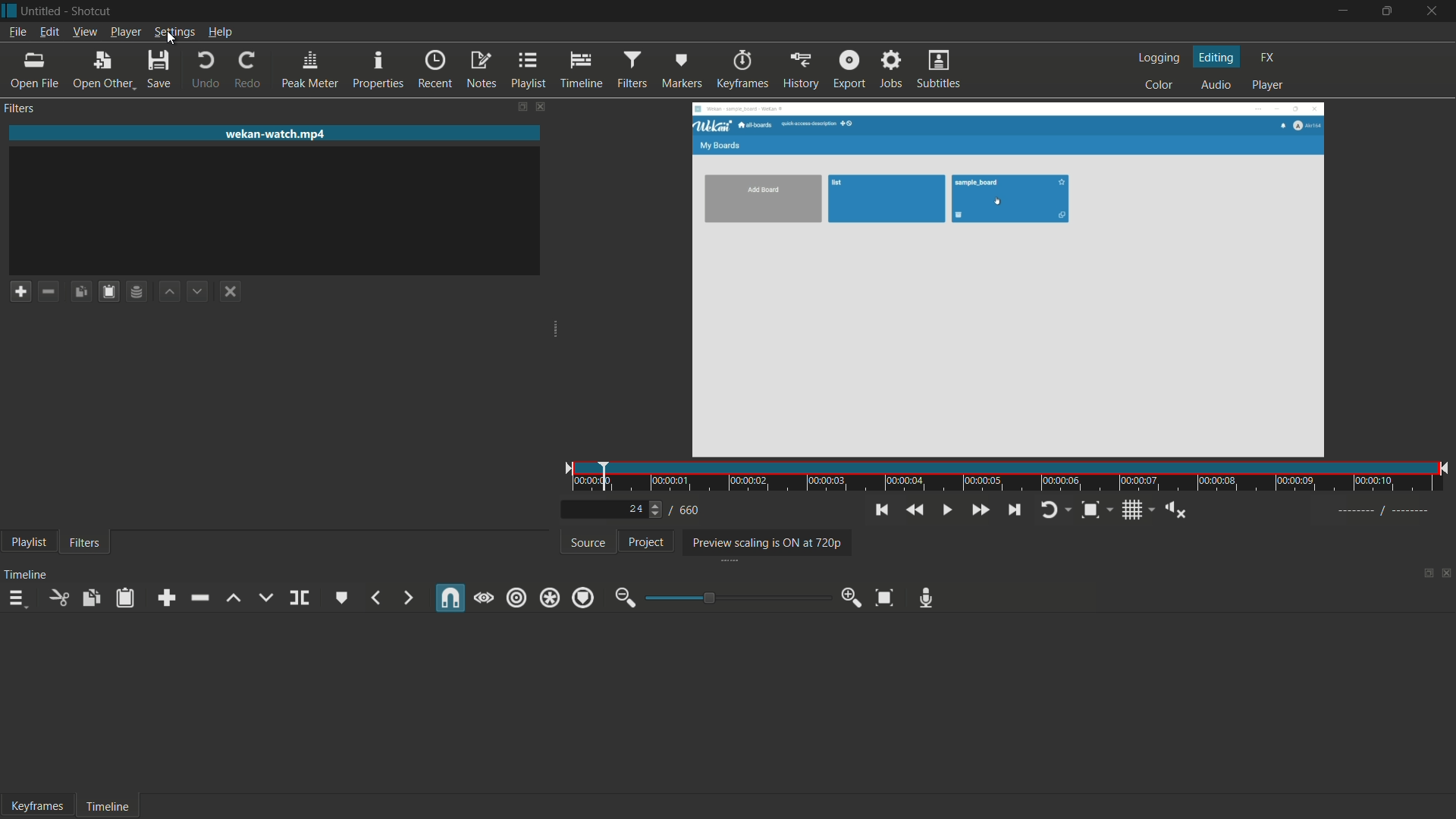 The image size is (1456, 819). Describe the element at coordinates (19, 598) in the screenshot. I see `timeline menu` at that location.